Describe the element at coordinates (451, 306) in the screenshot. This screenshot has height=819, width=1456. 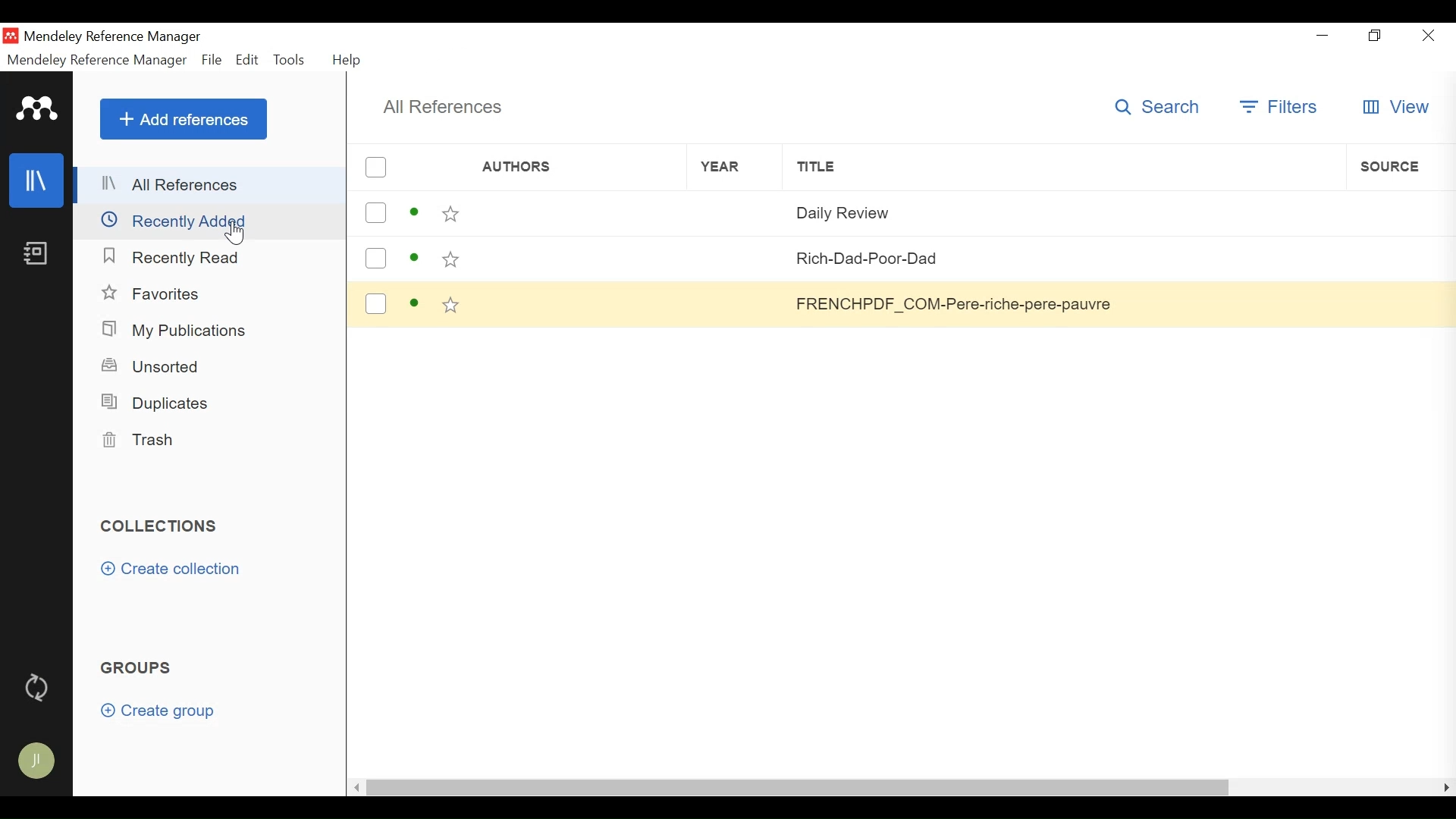
I see `(un)select Favorite` at that location.